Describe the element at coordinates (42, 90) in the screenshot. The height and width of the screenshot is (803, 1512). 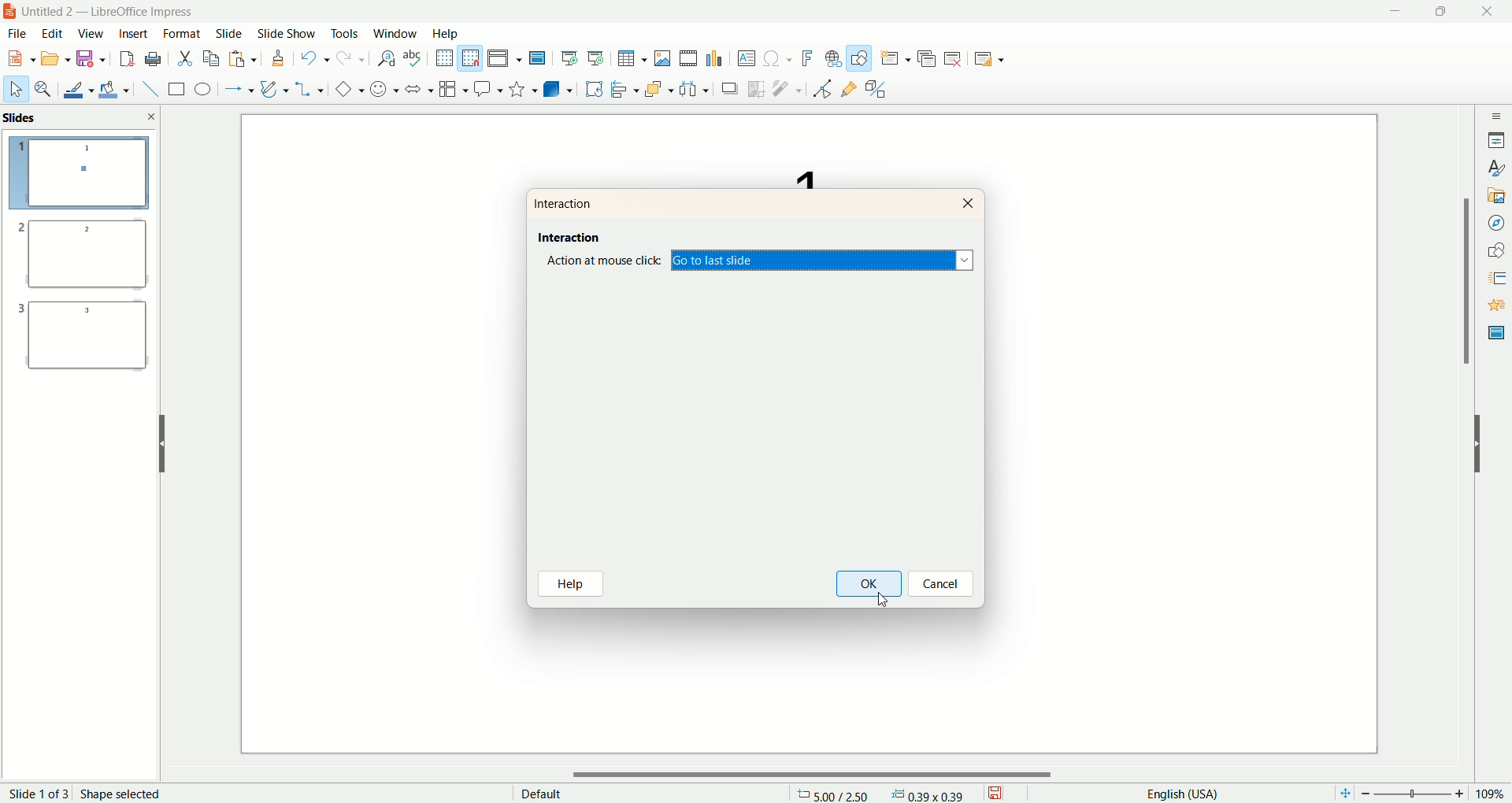
I see `zoom and pan` at that location.